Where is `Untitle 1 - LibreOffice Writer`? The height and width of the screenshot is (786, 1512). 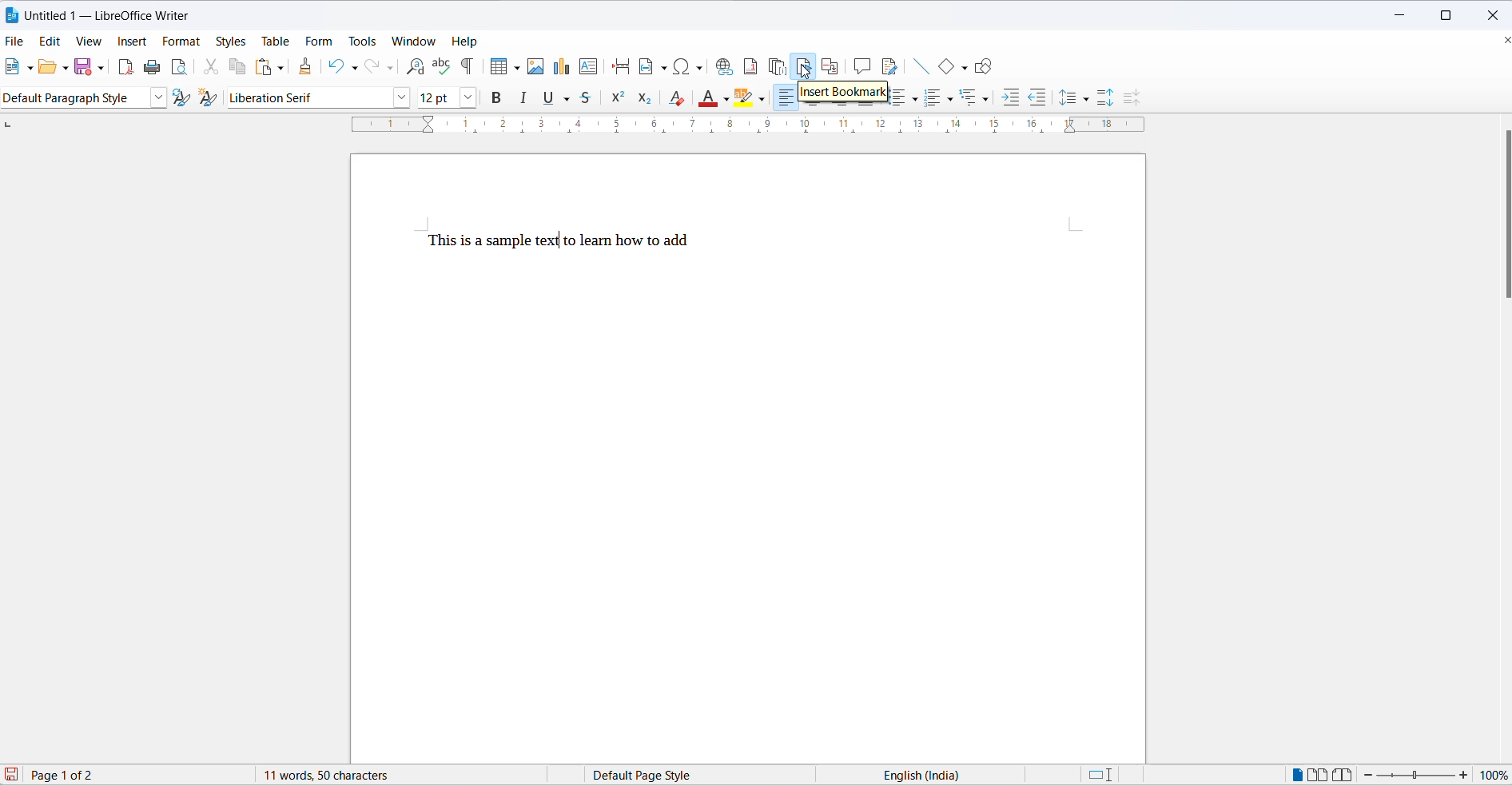 Untitle 1 - LibreOffice Writer is located at coordinates (114, 15).